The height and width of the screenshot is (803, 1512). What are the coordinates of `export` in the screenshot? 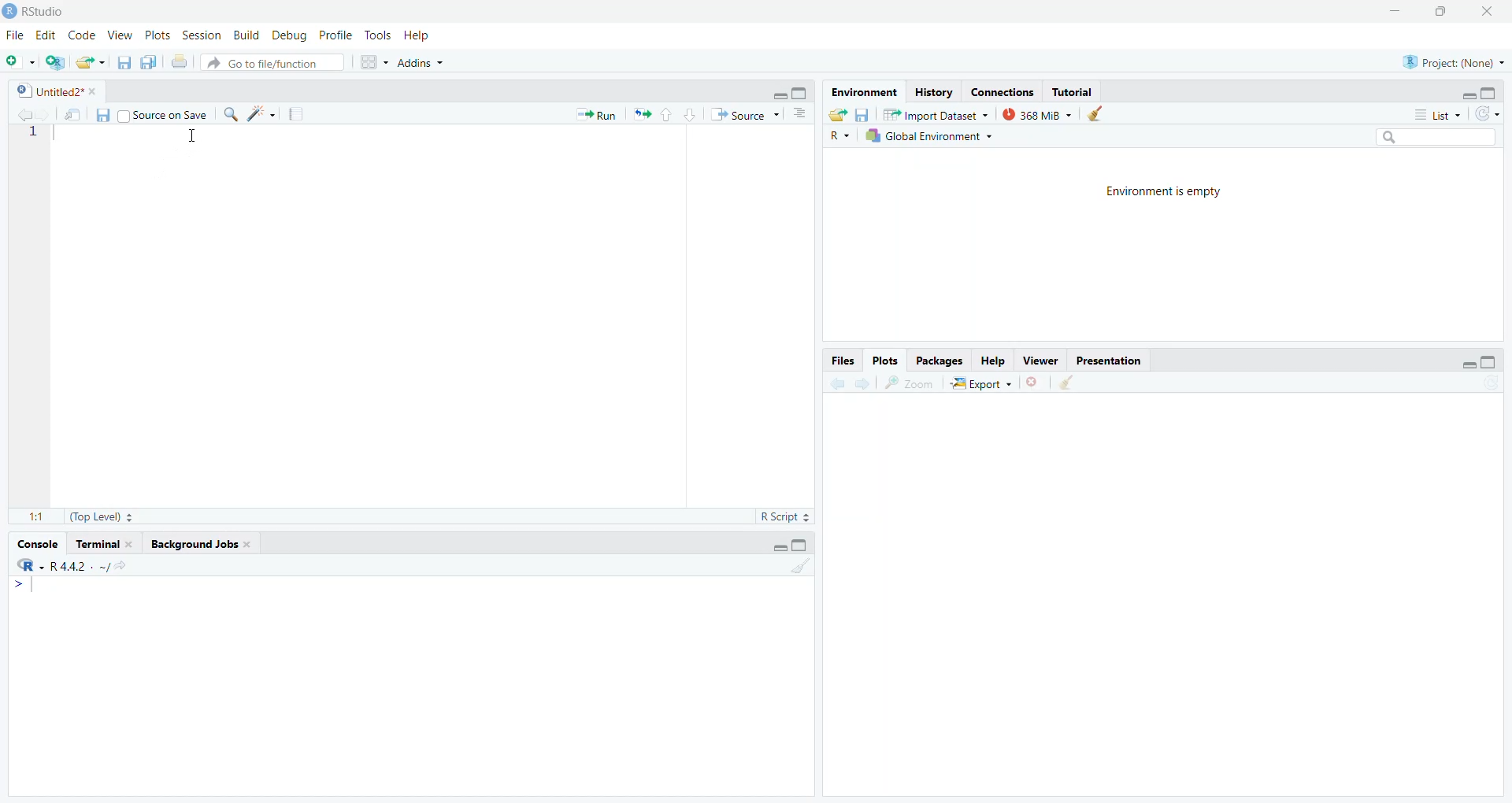 It's located at (642, 115).